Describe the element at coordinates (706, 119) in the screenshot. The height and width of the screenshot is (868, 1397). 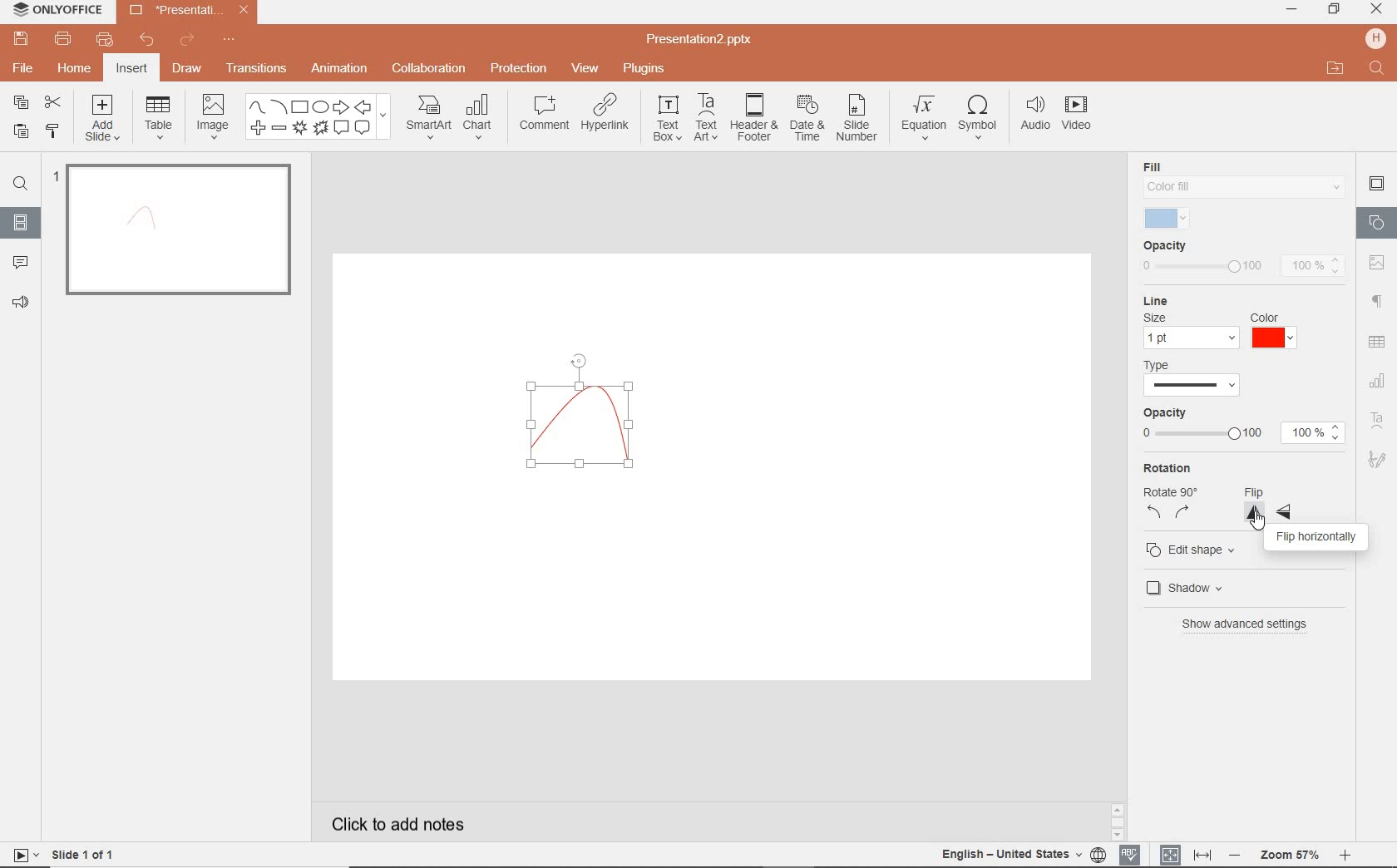
I see `TEXTART` at that location.